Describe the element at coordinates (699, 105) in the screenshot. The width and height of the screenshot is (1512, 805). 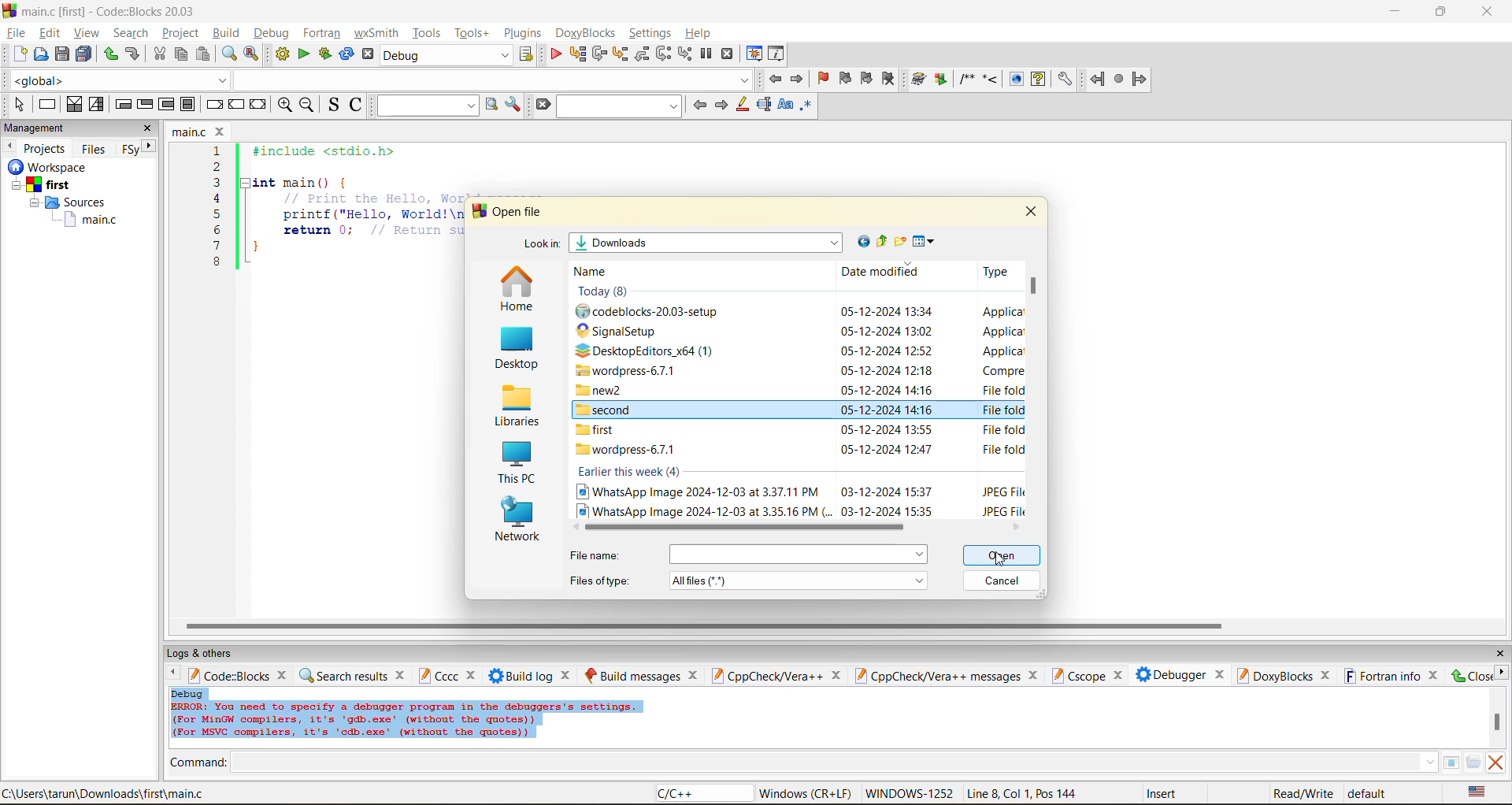
I see `previous` at that location.